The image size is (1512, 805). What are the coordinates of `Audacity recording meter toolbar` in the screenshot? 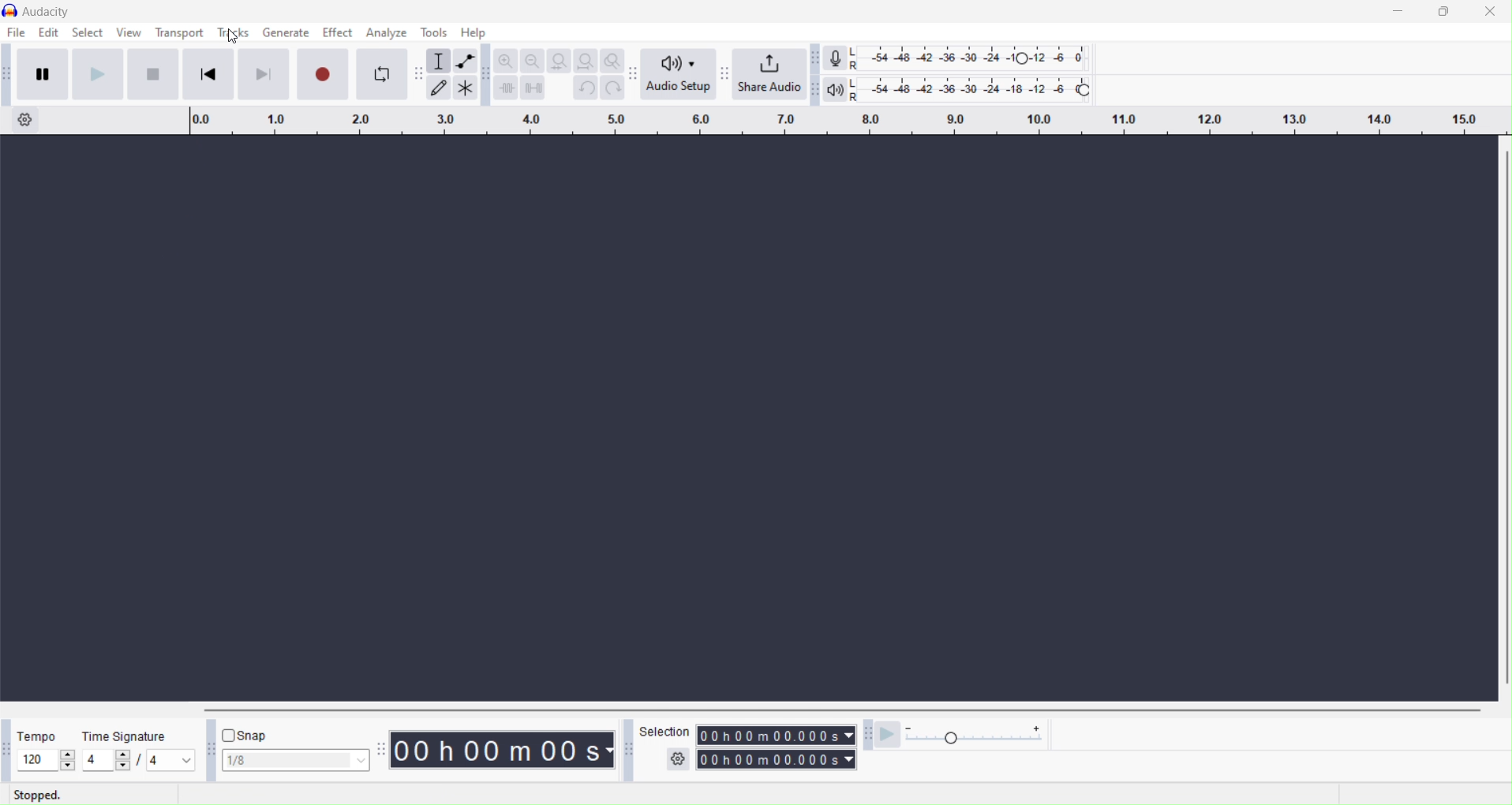 It's located at (816, 57).